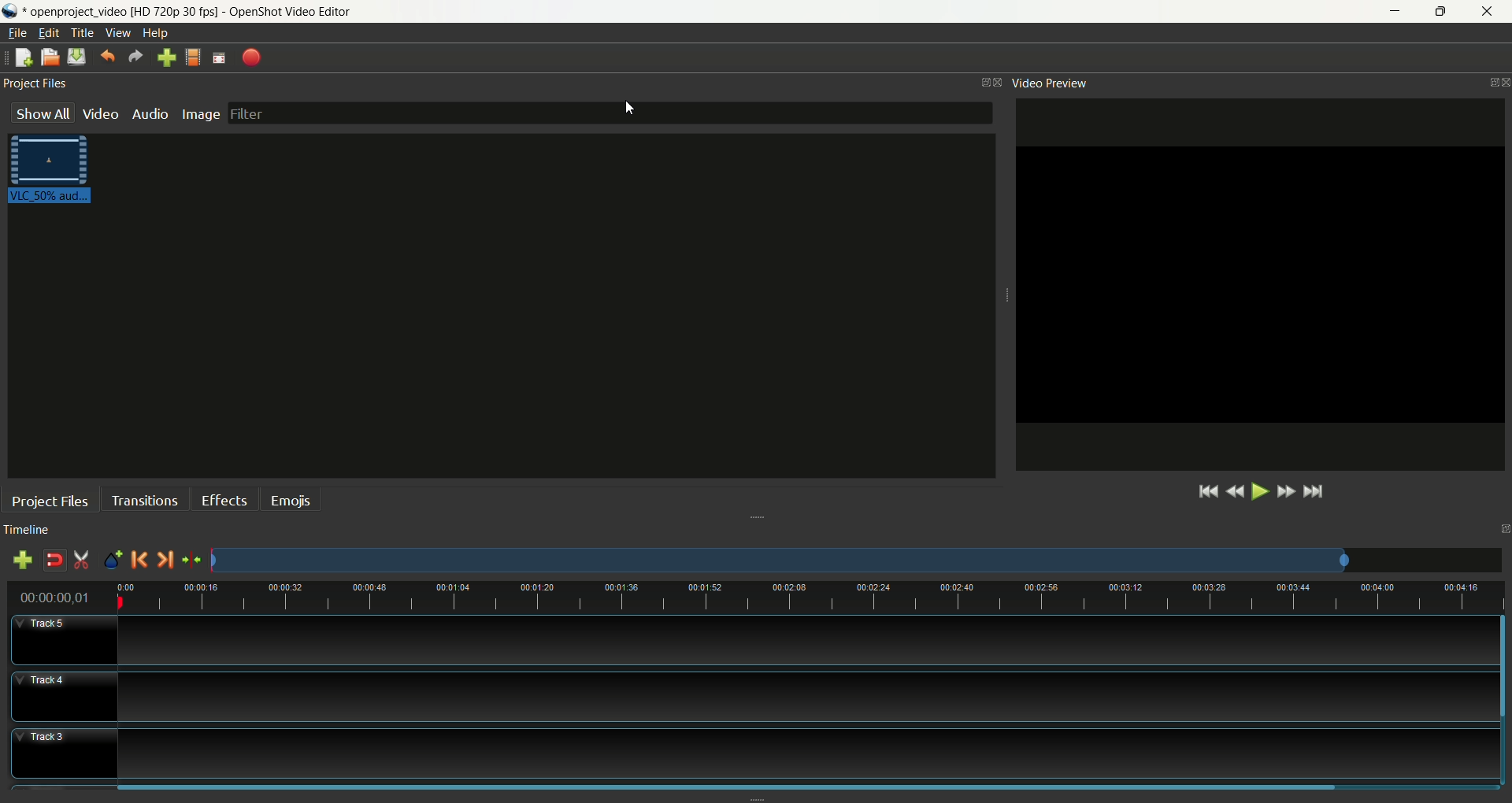 This screenshot has width=1512, height=803. What do you see at coordinates (65, 698) in the screenshot?
I see `track4` at bounding box center [65, 698].